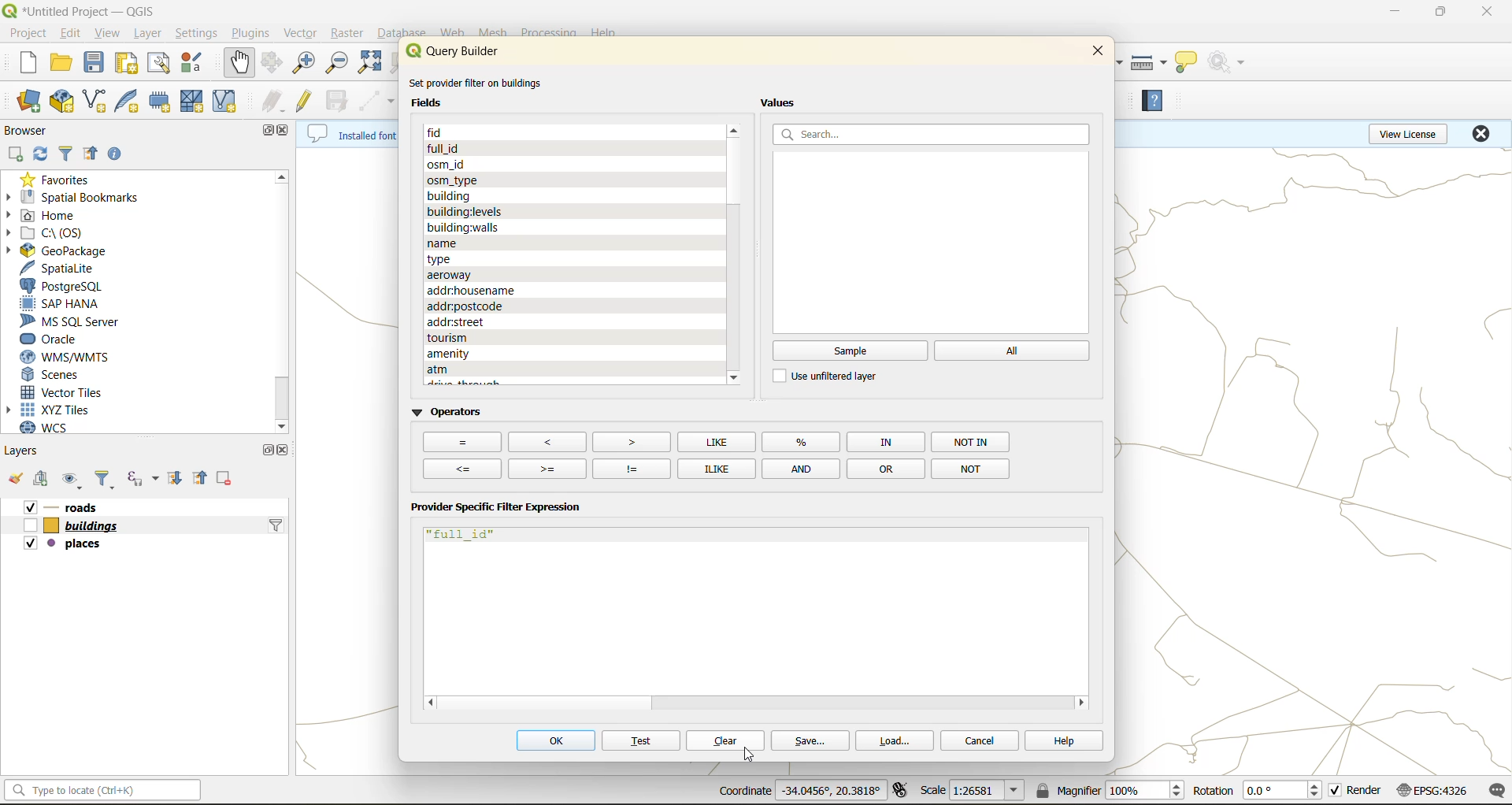 This screenshot has width=1512, height=805. I want to click on filter by expression, so click(143, 480).